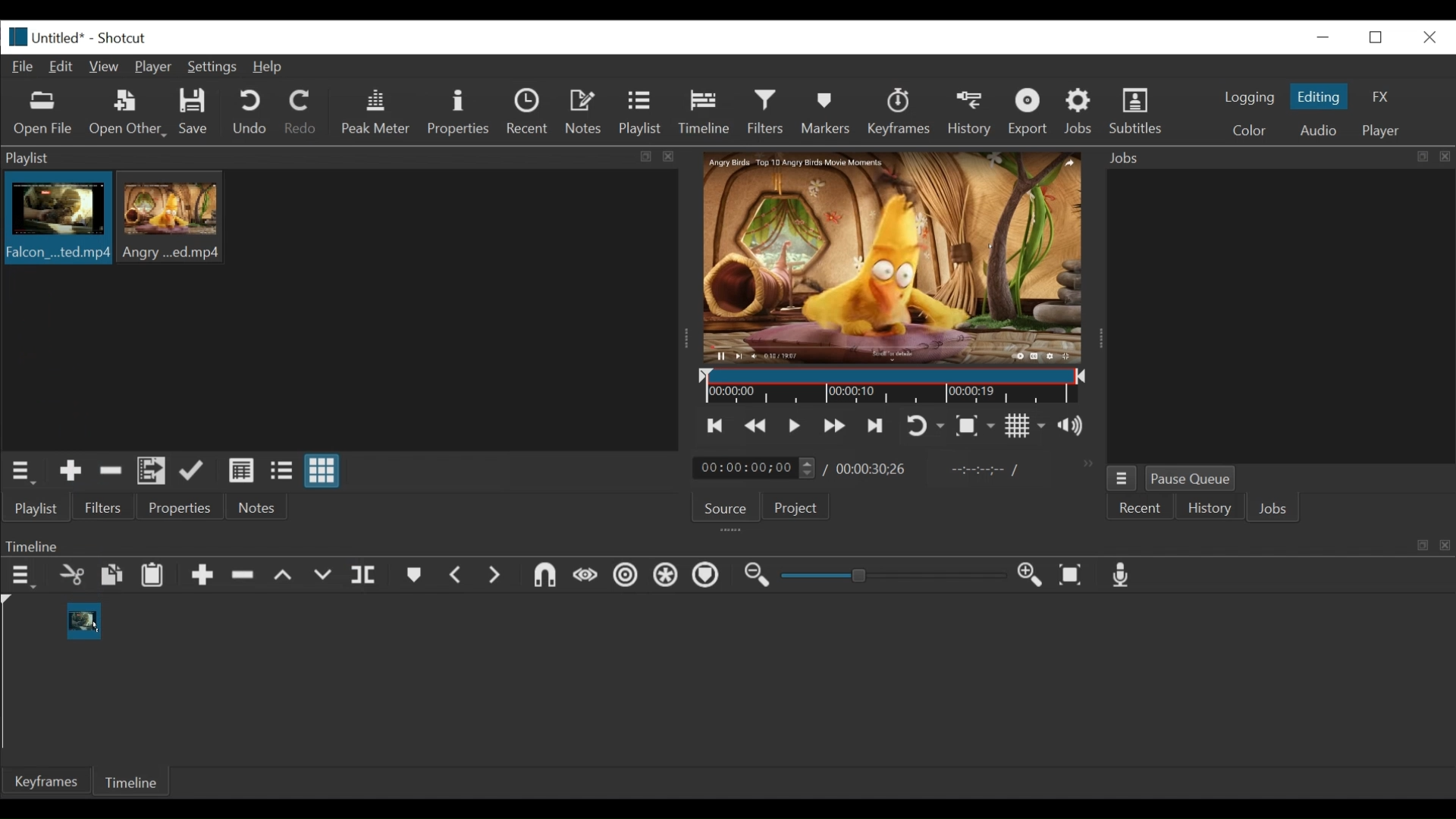 The image size is (1456, 819). Describe the element at coordinates (242, 470) in the screenshot. I see `view as details` at that location.